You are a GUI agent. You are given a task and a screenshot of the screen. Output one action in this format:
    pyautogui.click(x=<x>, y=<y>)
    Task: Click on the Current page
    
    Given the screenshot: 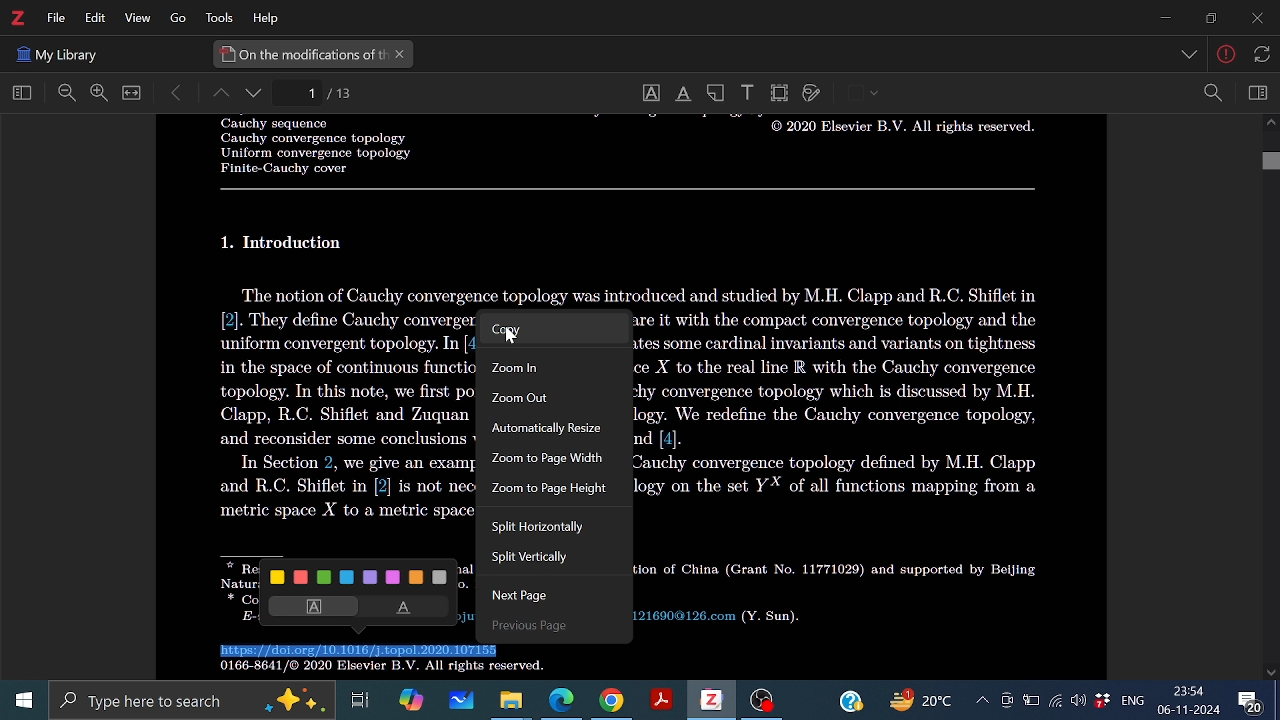 What is the action you would take?
    pyautogui.click(x=342, y=93)
    